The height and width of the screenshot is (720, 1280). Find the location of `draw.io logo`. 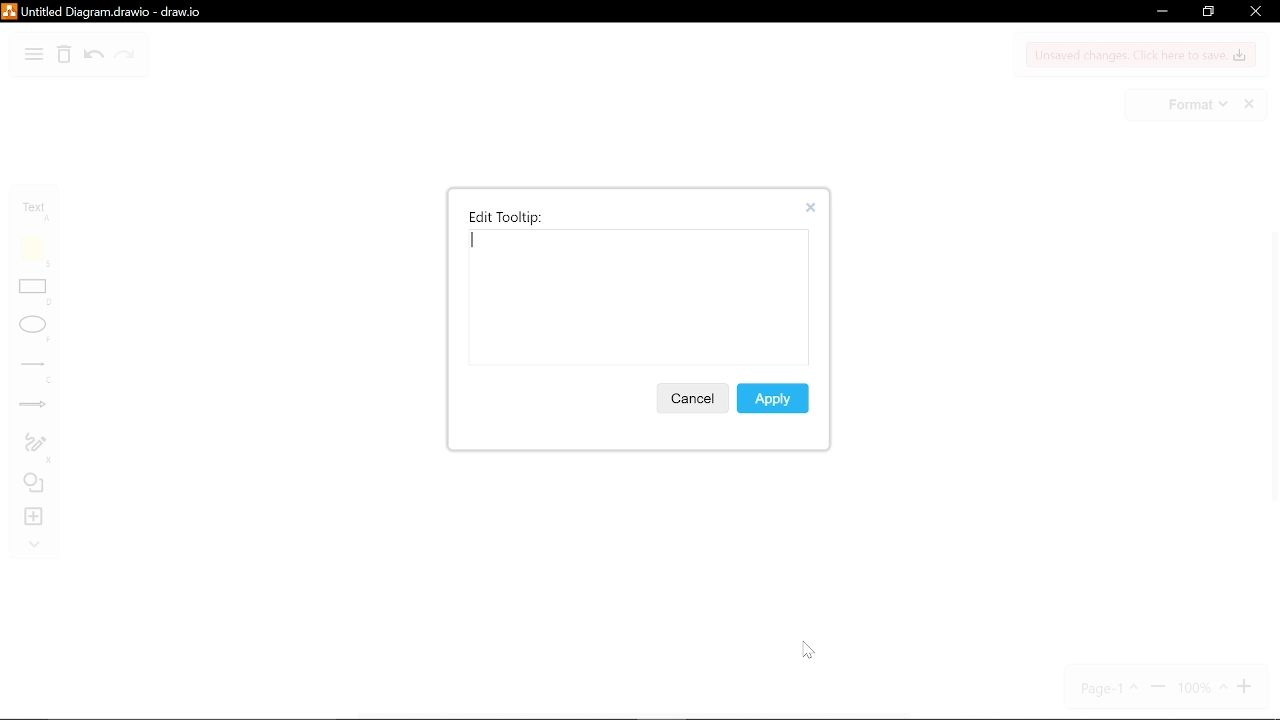

draw.io logo is located at coordinates (9, 12).